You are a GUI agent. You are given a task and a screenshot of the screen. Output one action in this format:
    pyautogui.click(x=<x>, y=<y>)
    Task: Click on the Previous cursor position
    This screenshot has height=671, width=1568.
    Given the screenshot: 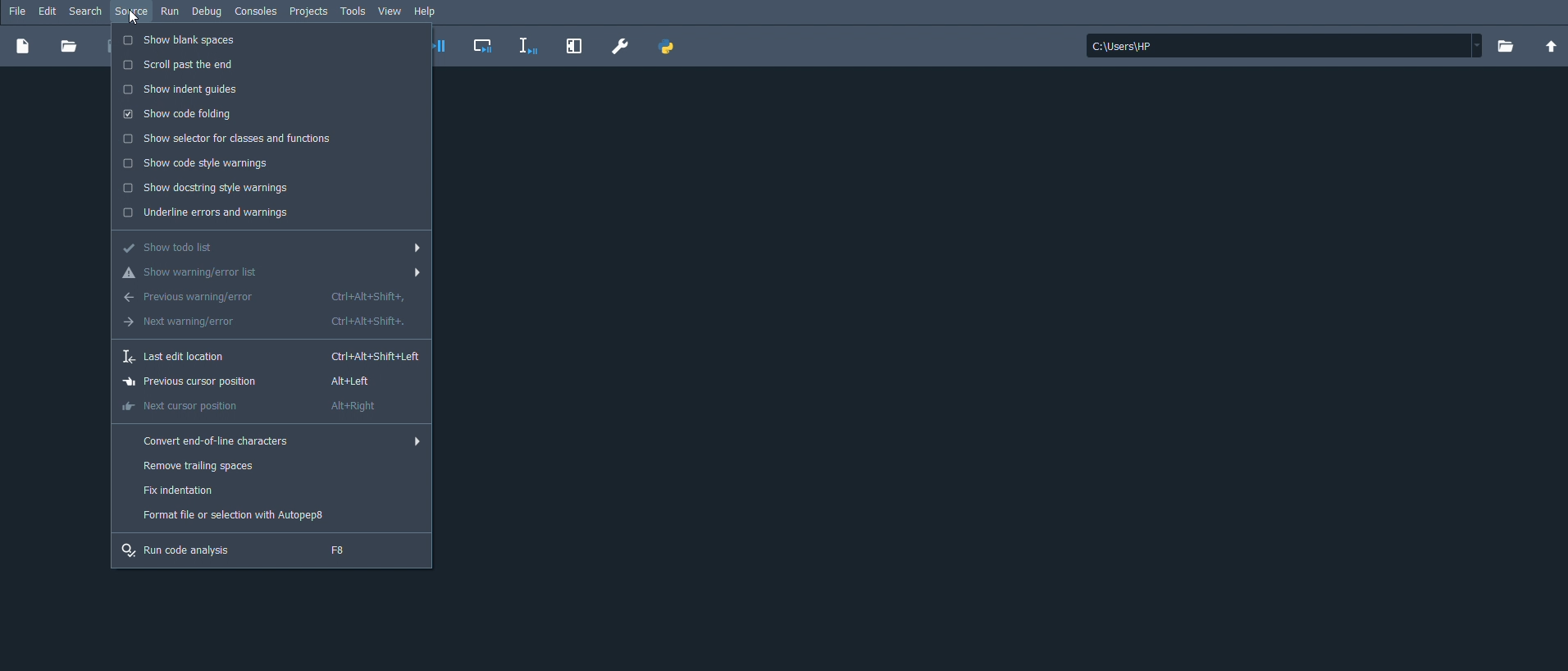 What is the action you would take?
    pyautogui.click(x=249, y=381)
    